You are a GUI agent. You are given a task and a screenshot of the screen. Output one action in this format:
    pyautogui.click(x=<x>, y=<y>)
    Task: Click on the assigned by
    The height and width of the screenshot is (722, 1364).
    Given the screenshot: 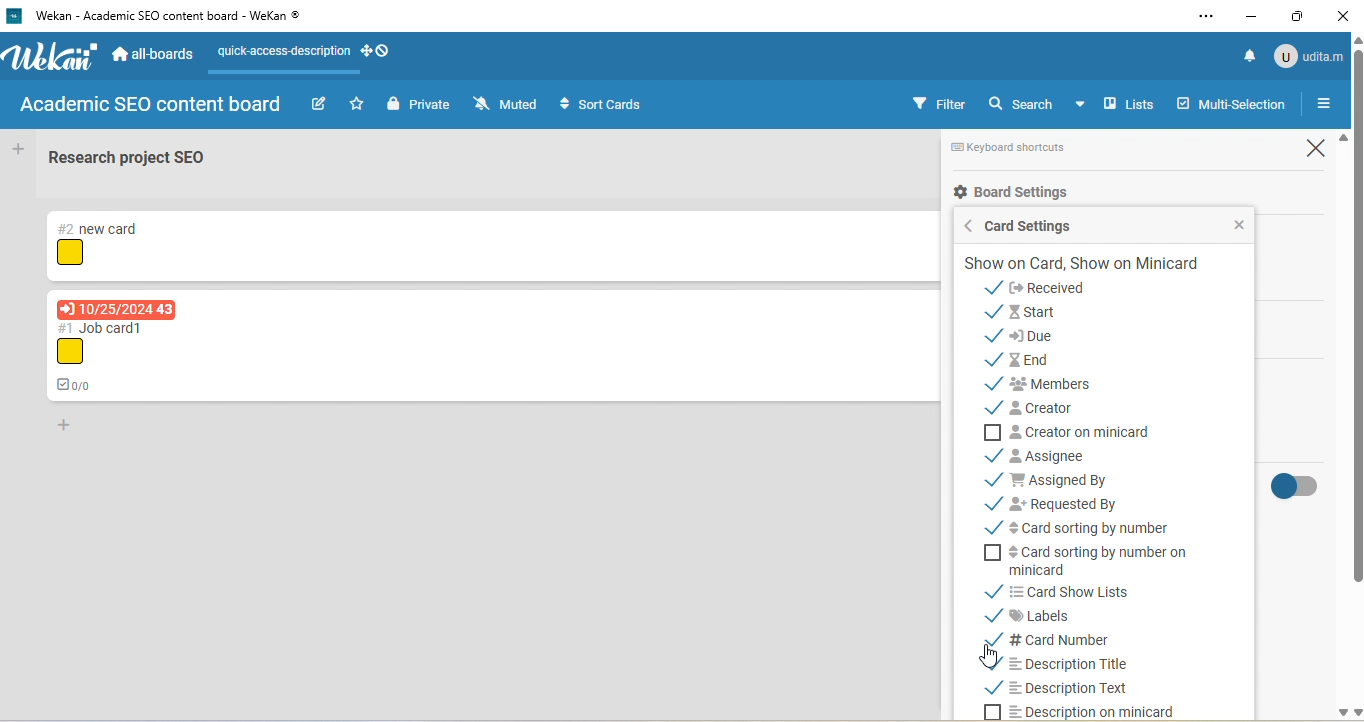 What is the action you would take?
    pyautogui.click(x=1075, y=478)
    